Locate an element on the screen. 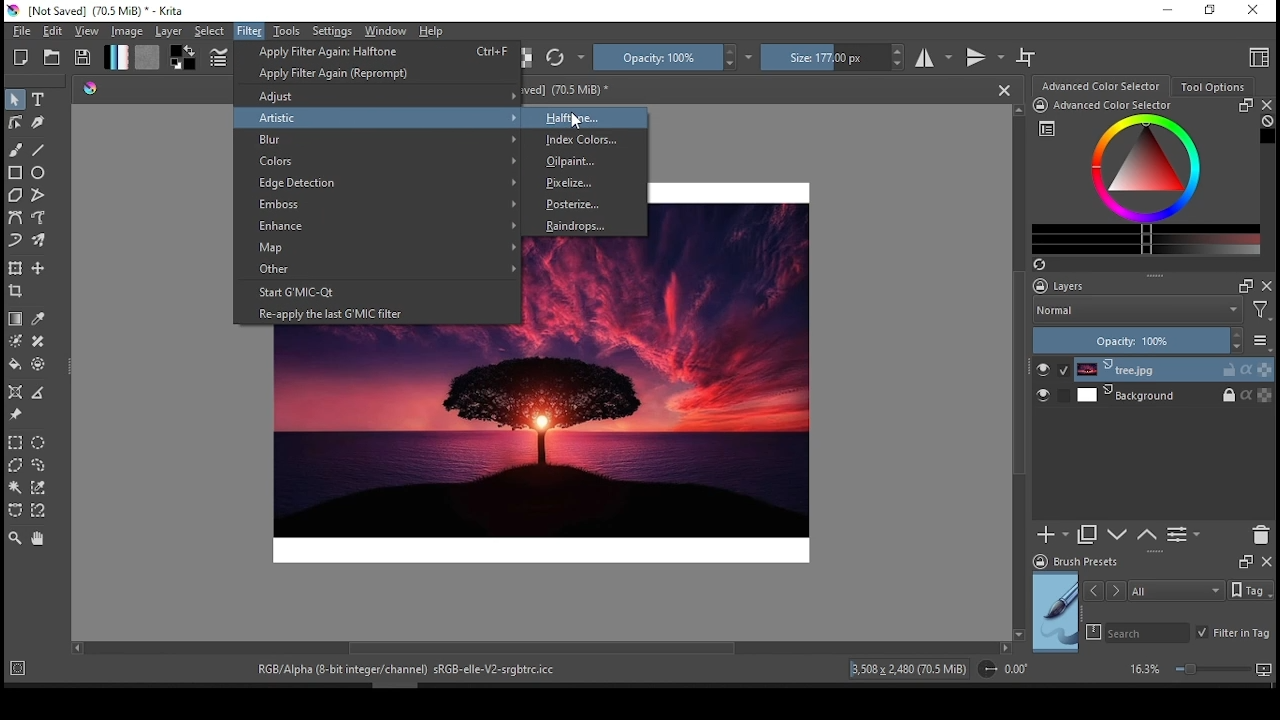 This screenshot has width=1280, height=720. tool options is located at coordinates (1212, 87).